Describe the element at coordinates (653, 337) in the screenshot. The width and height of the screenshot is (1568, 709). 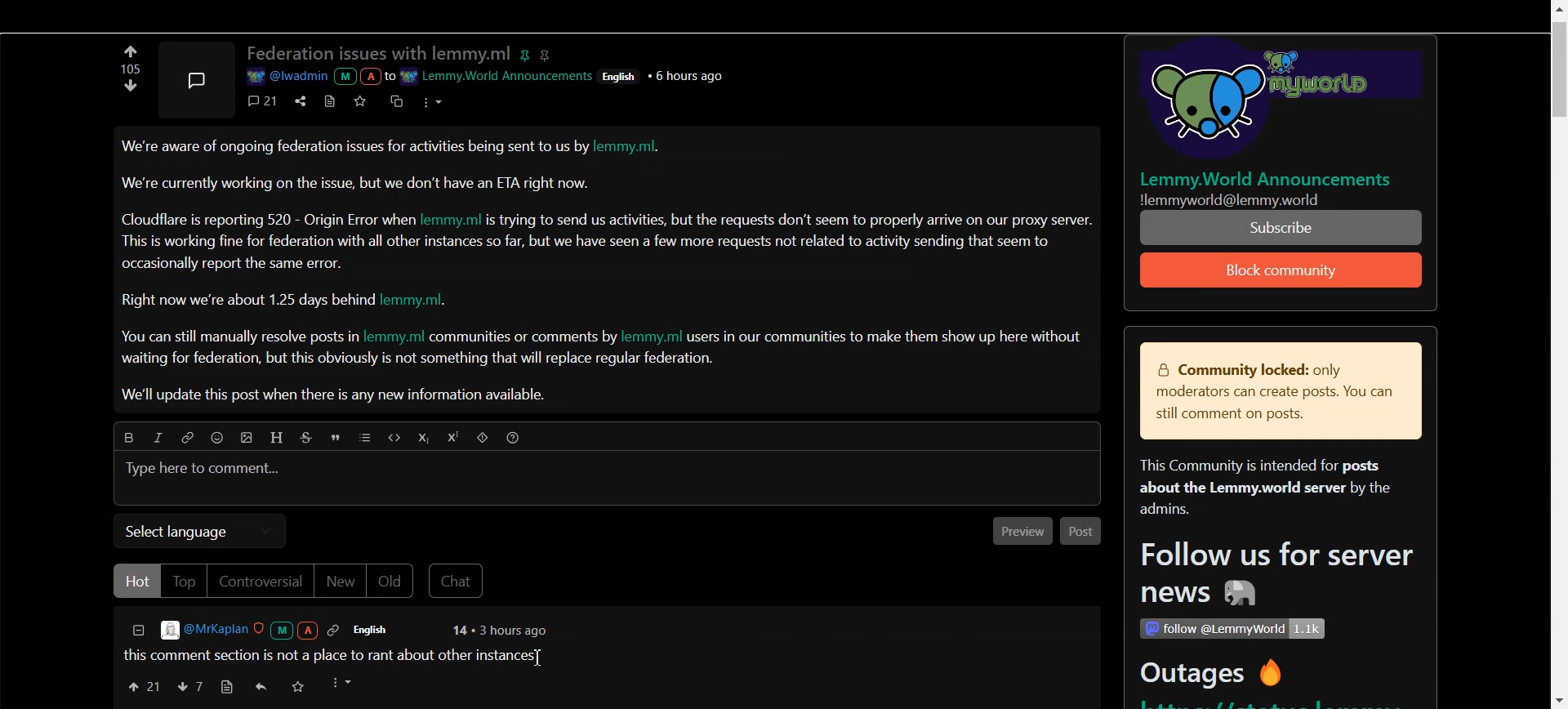
I see `lemmy.ml` at that location.